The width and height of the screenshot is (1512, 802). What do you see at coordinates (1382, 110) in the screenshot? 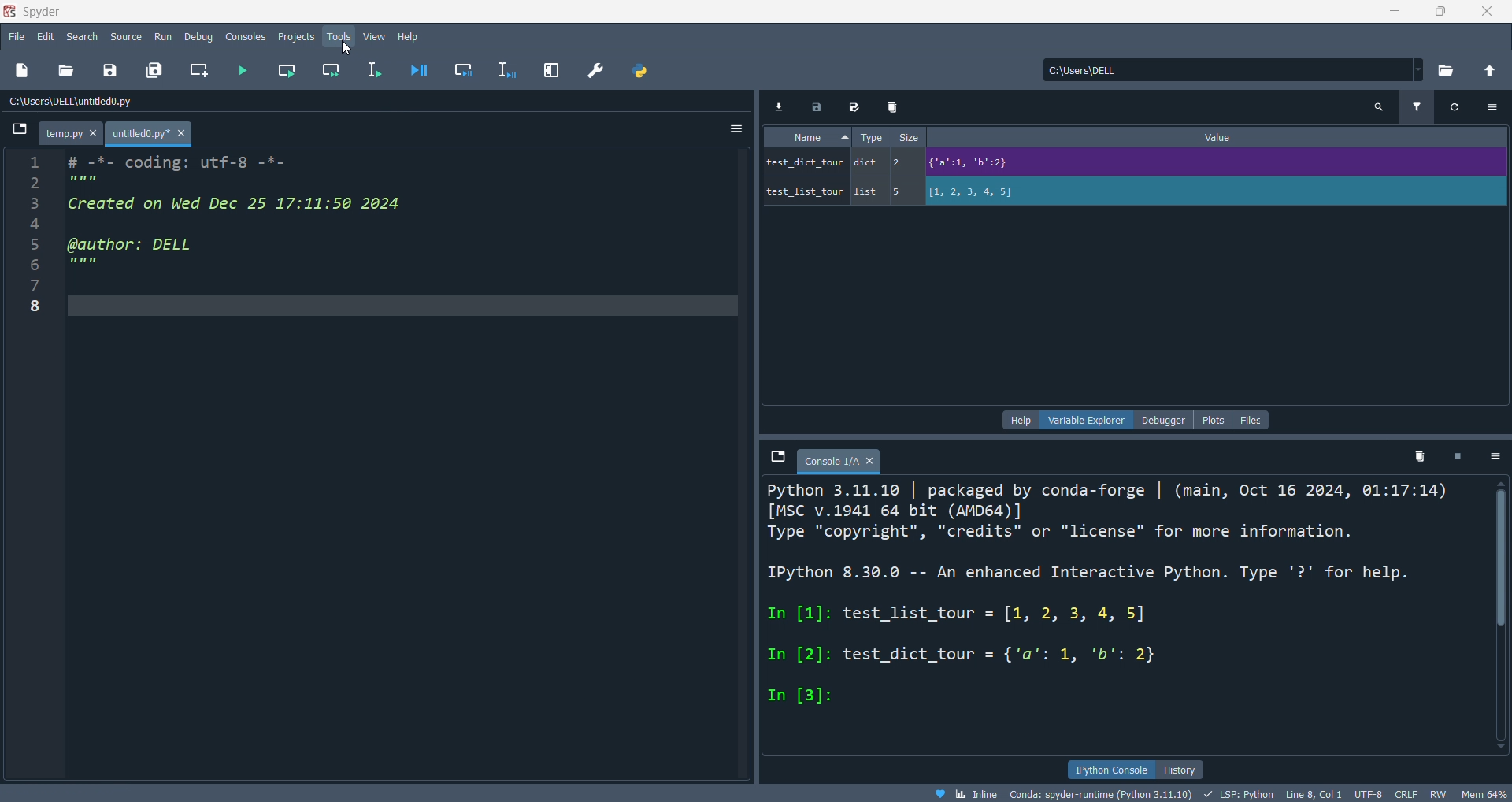
I see `search variables` at bounding box center [1382, 110].